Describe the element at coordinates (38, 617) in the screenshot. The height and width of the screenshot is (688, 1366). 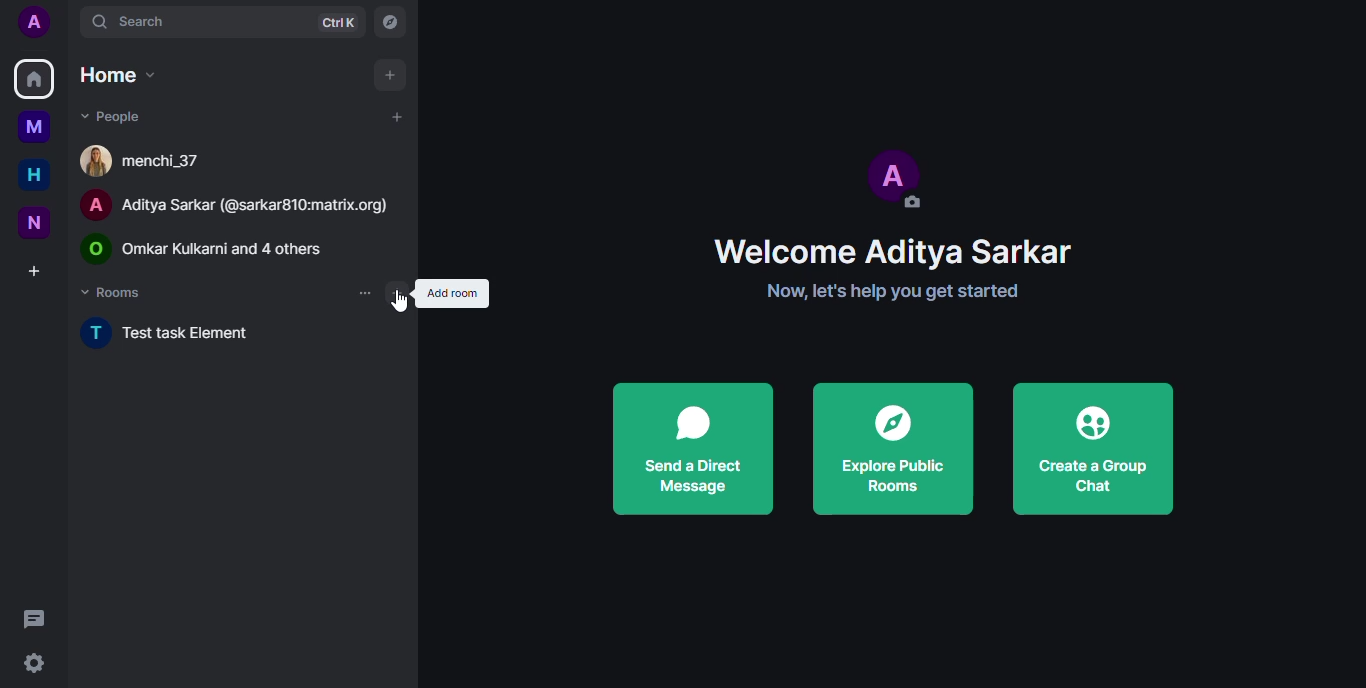
I see `threads` at that location.